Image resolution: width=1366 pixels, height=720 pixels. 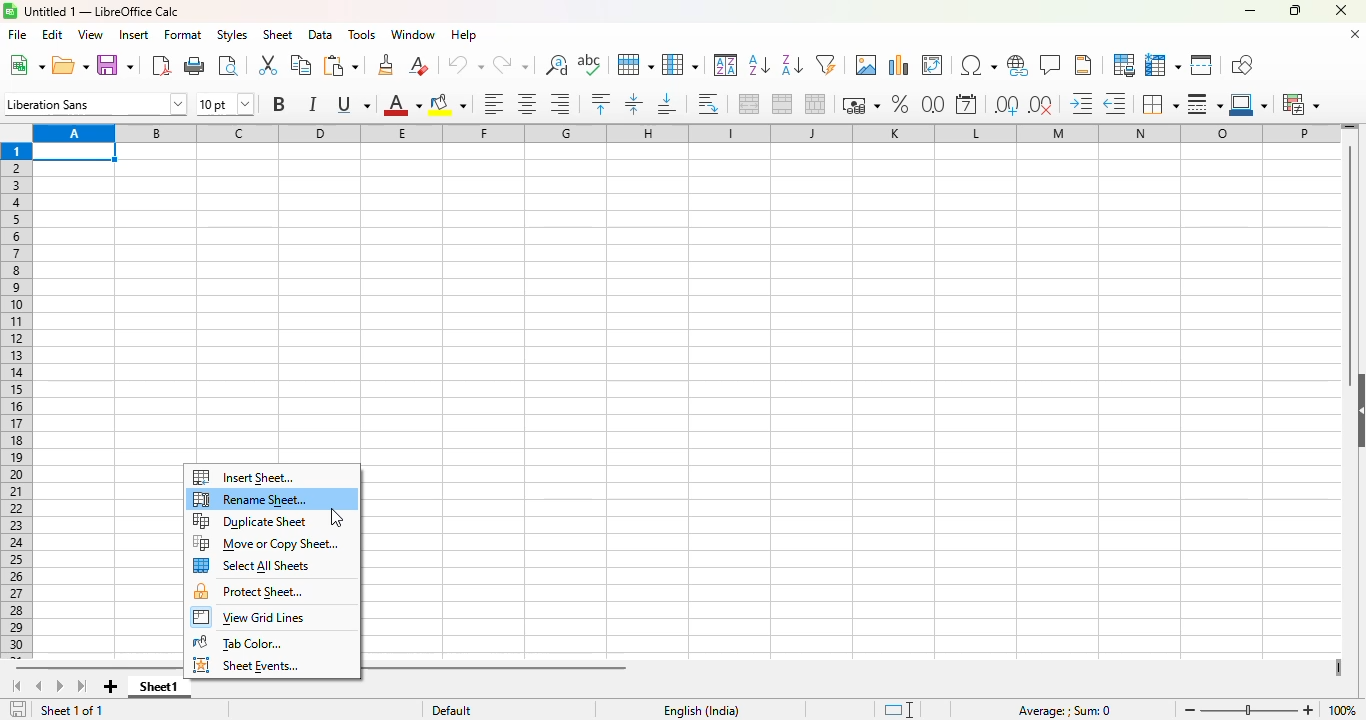 What do you see at coordinates (95, 103) in the screenshot?
I see `font name` at bounding box center [95, 103].